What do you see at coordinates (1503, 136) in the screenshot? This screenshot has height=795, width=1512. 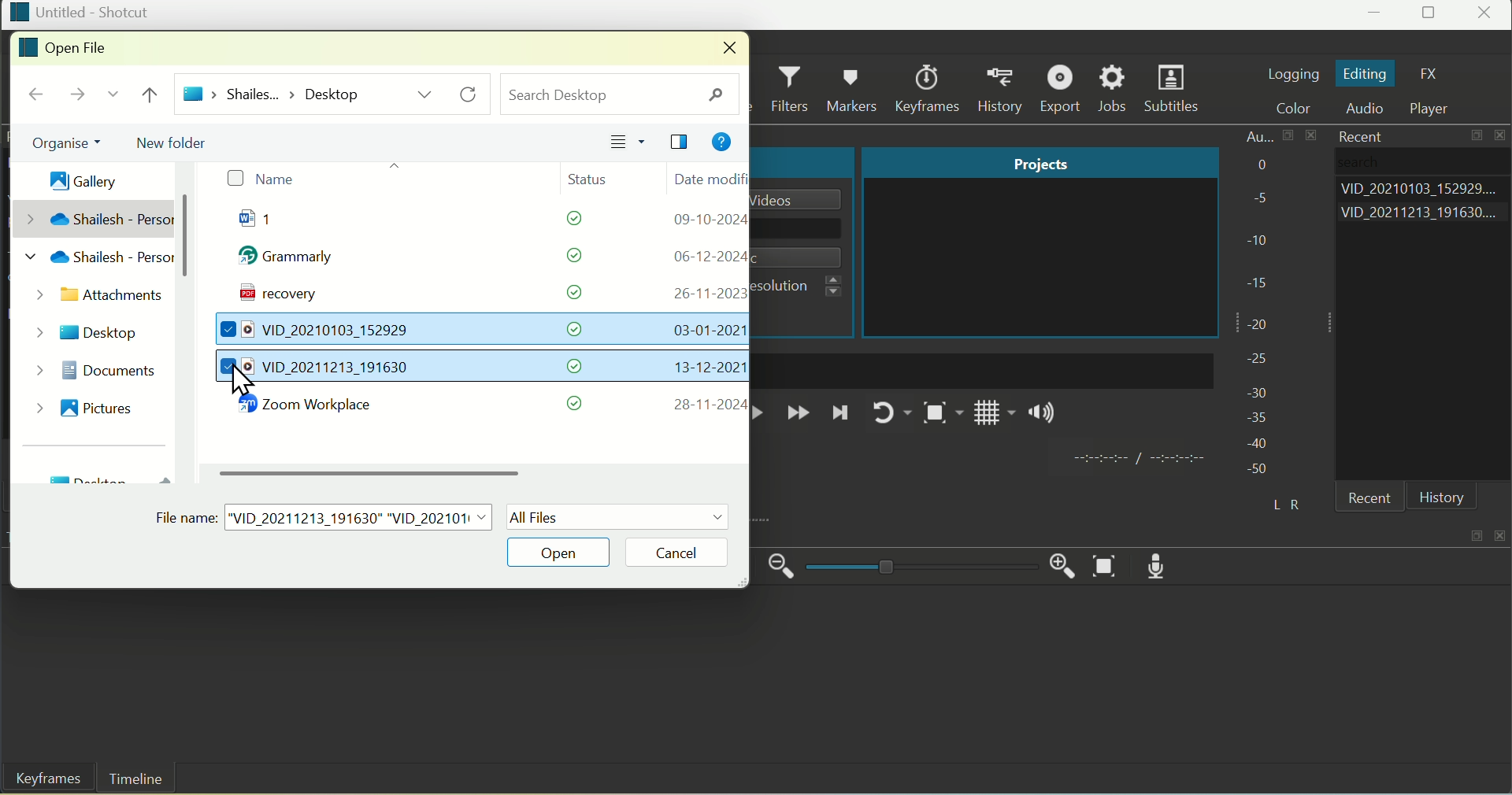 I see `close` at bounding box center [1503, 136].